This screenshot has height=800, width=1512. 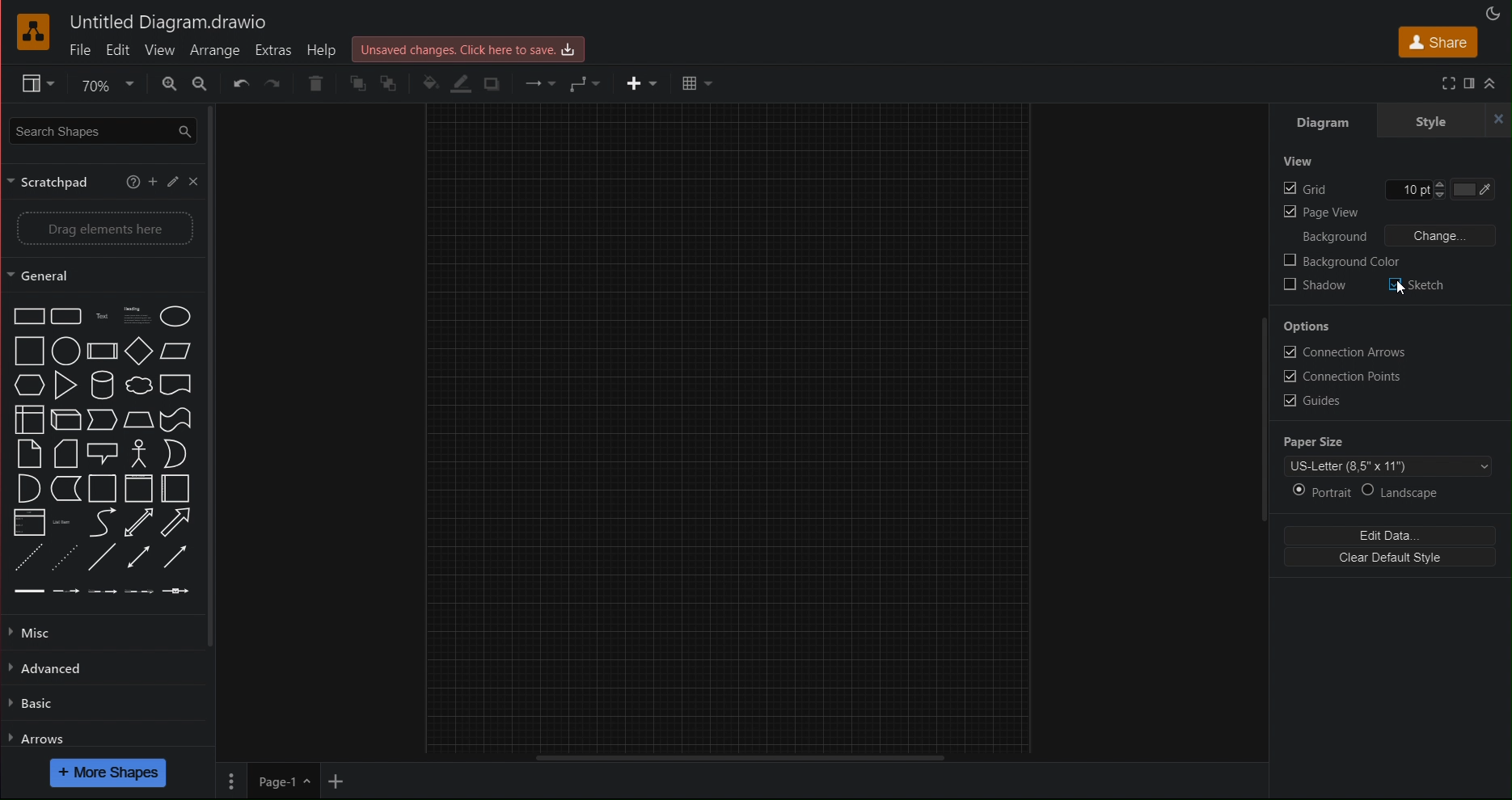 I want to click on square, so click(x=30, y=352).